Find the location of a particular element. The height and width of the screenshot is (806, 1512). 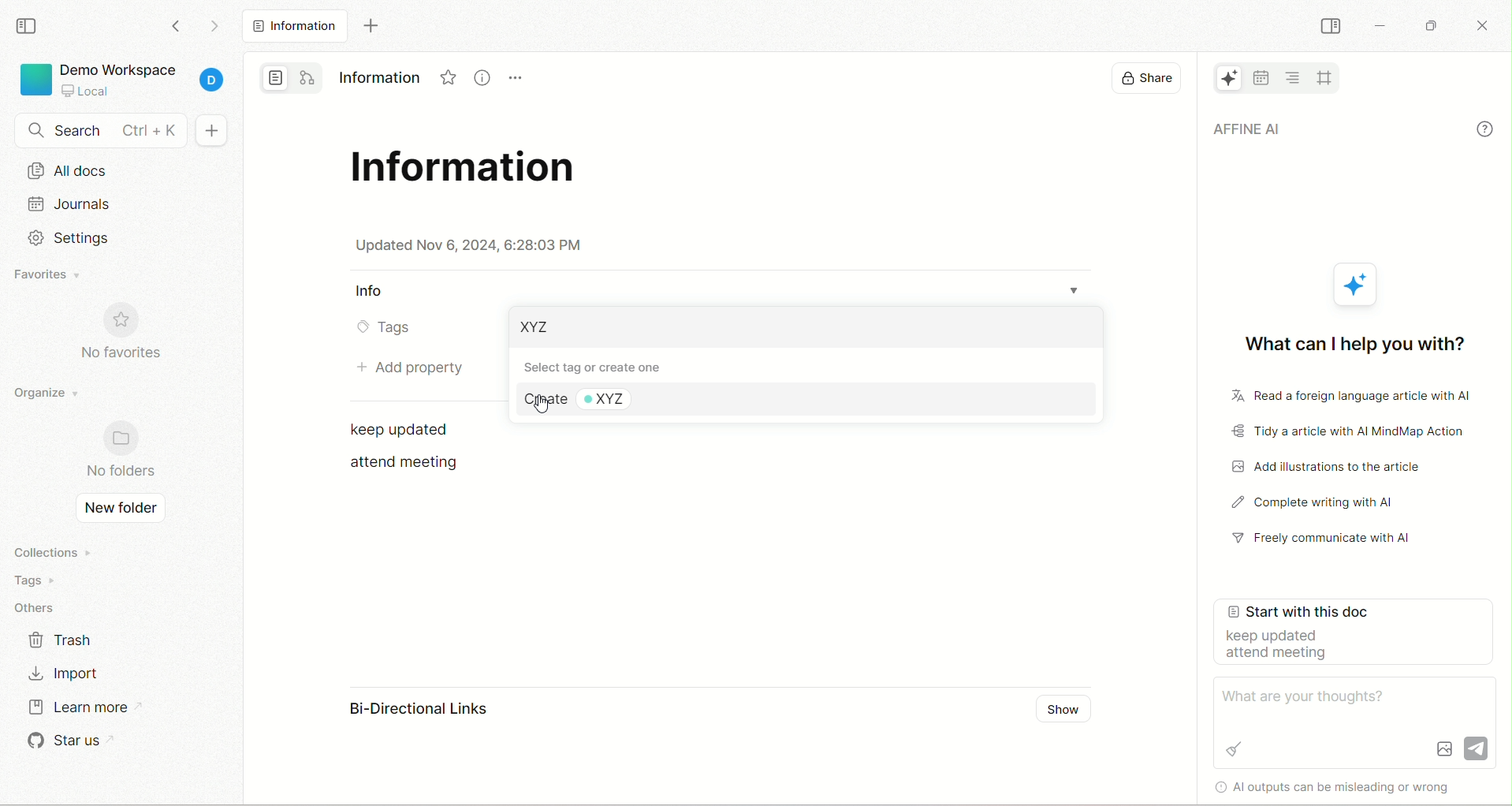

Setting is located at coordinates (69, 238).